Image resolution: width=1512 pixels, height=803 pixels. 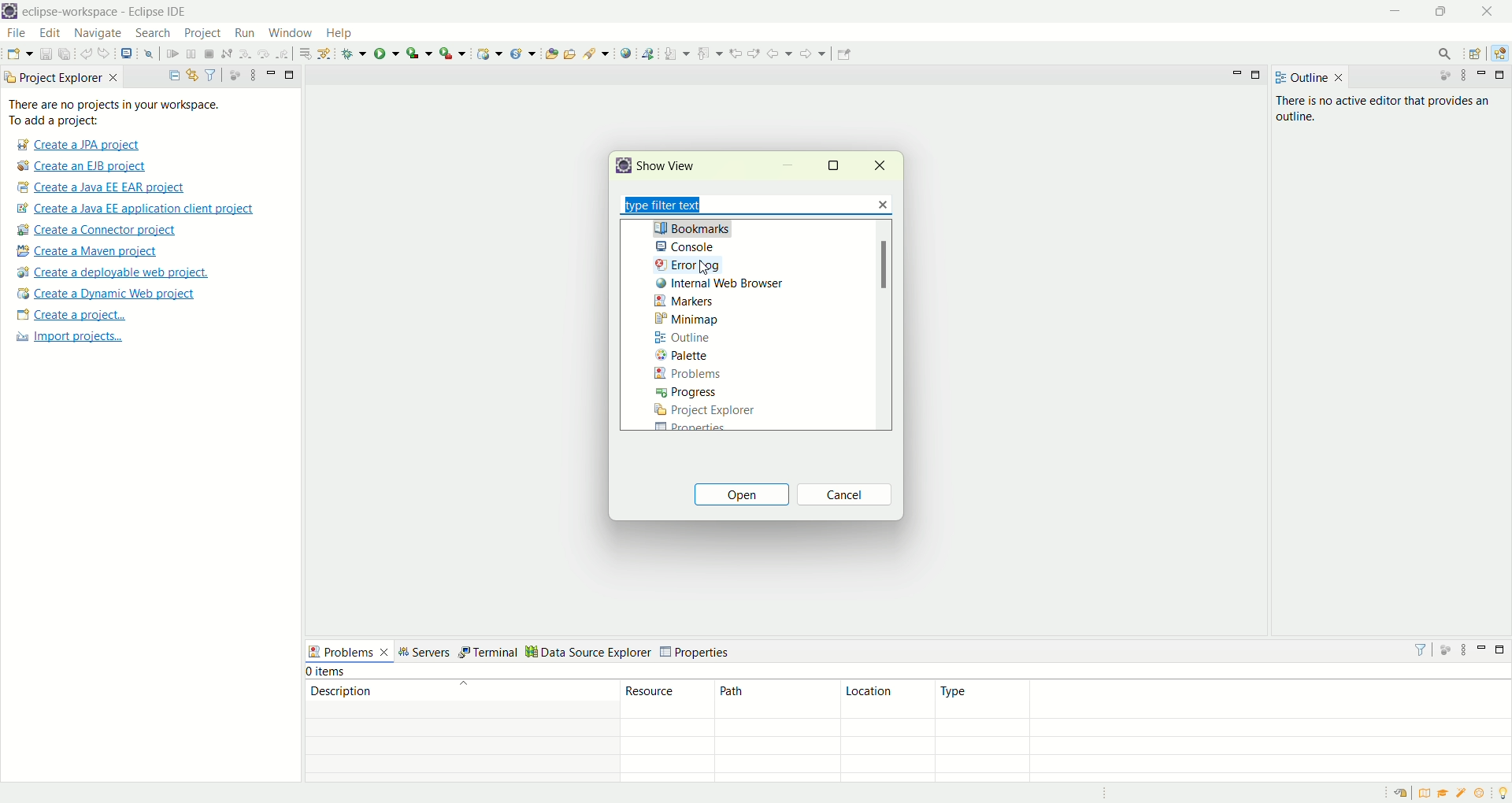 What do you see at coordinates (1310, 77) in the screenshot?
I see `outline` at bounding box center [1310, 77].